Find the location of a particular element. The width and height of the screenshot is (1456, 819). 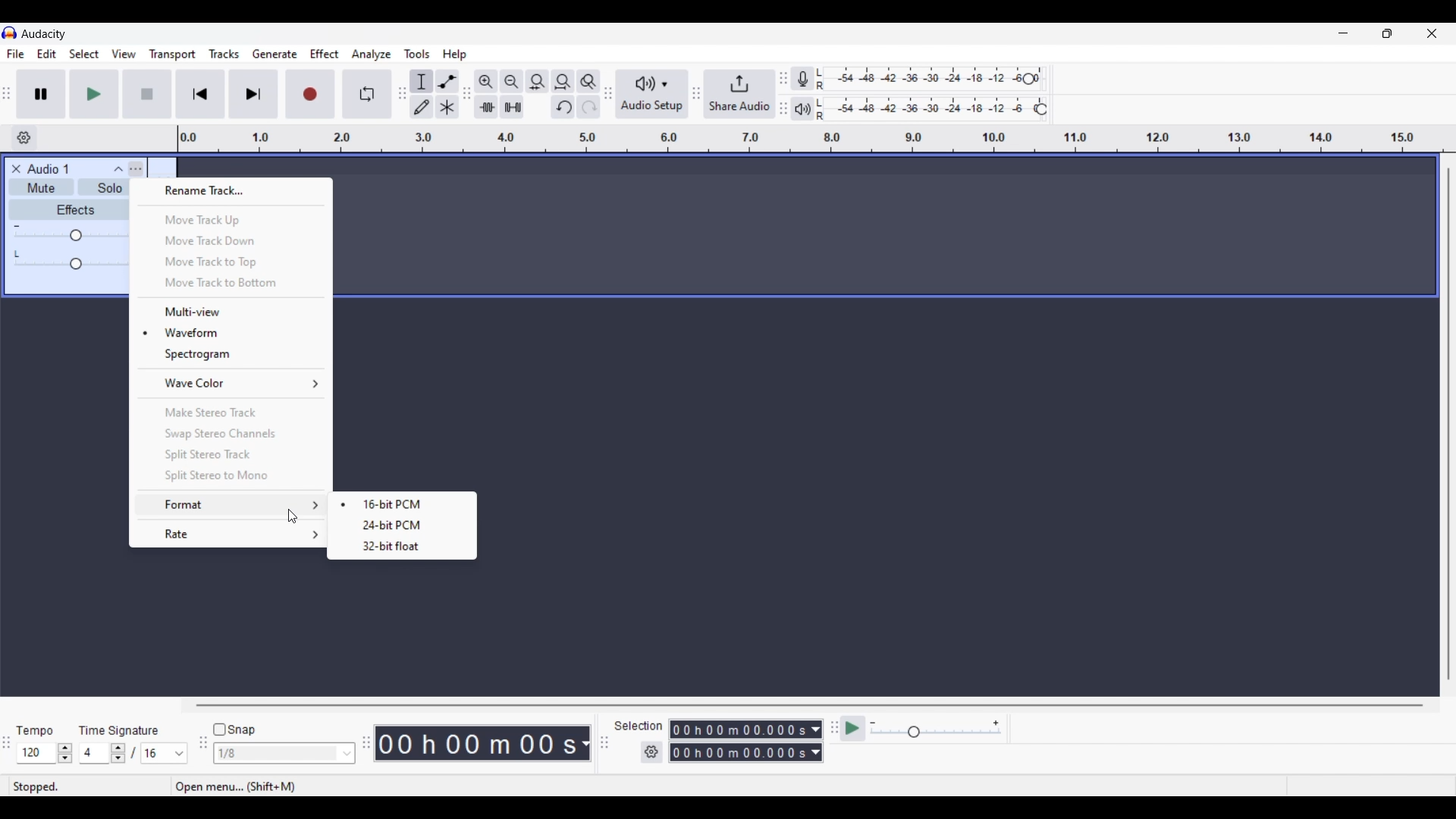

Multiview of audio waves is located at coordinates (232, 312).